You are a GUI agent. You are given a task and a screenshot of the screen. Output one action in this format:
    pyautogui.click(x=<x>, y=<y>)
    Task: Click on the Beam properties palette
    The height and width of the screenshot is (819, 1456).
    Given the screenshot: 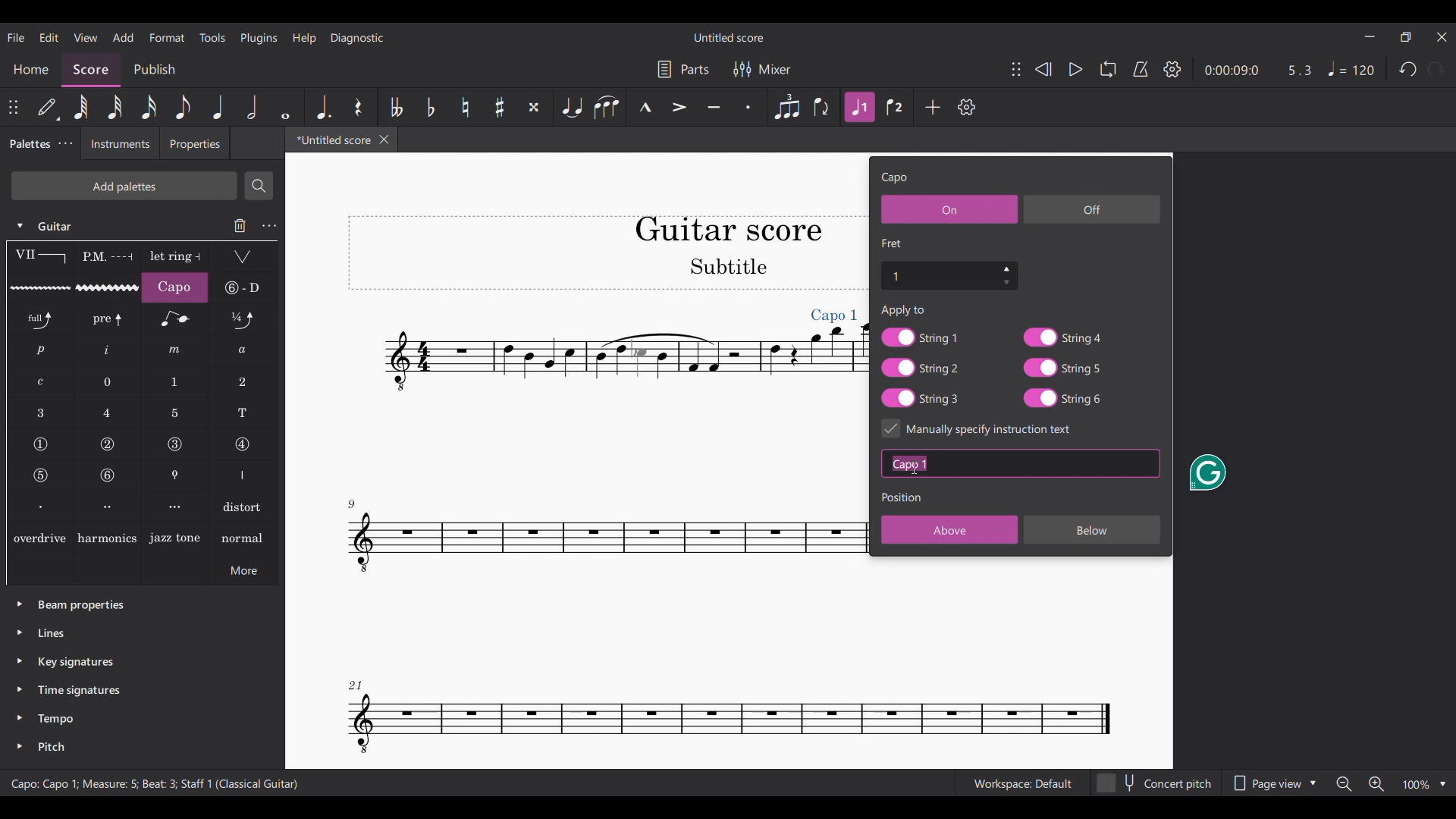 What is the action you would take?
    pyautogui.click(x=81, y=606)
    